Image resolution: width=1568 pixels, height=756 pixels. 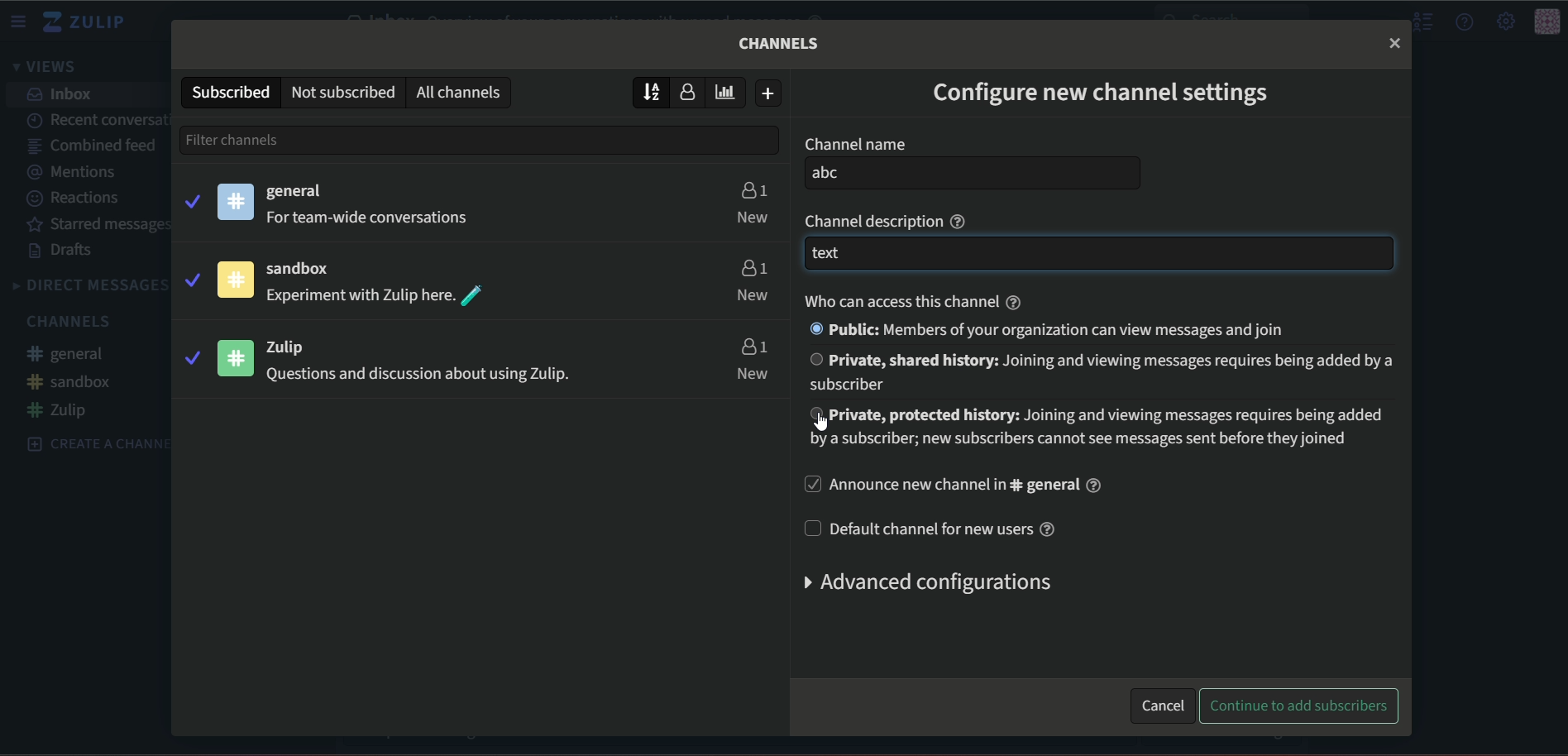 I want to click on poll, so click(x=730, y=92).